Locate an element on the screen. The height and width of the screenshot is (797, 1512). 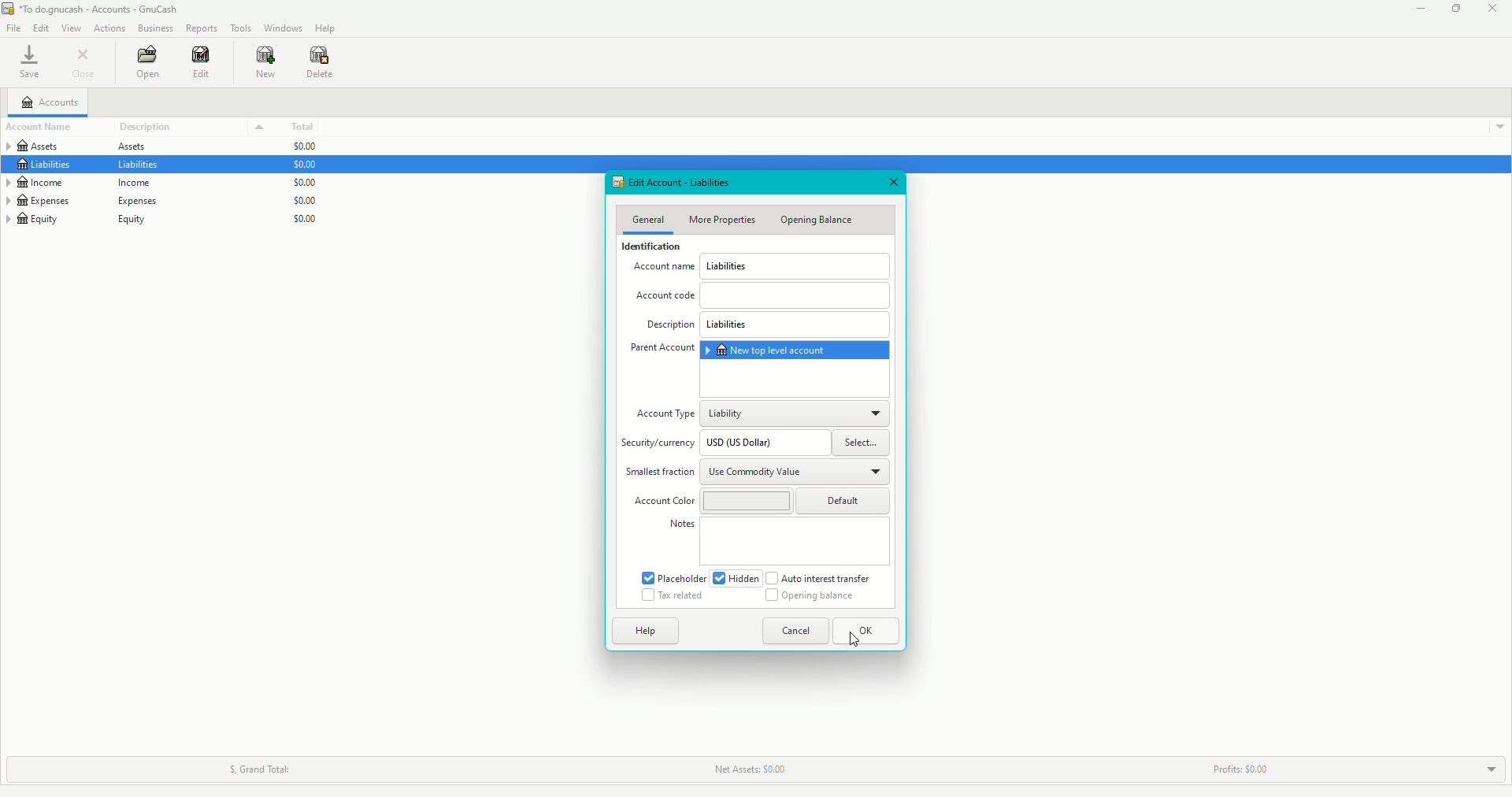
Expenses is located at coordinates (80, 202).